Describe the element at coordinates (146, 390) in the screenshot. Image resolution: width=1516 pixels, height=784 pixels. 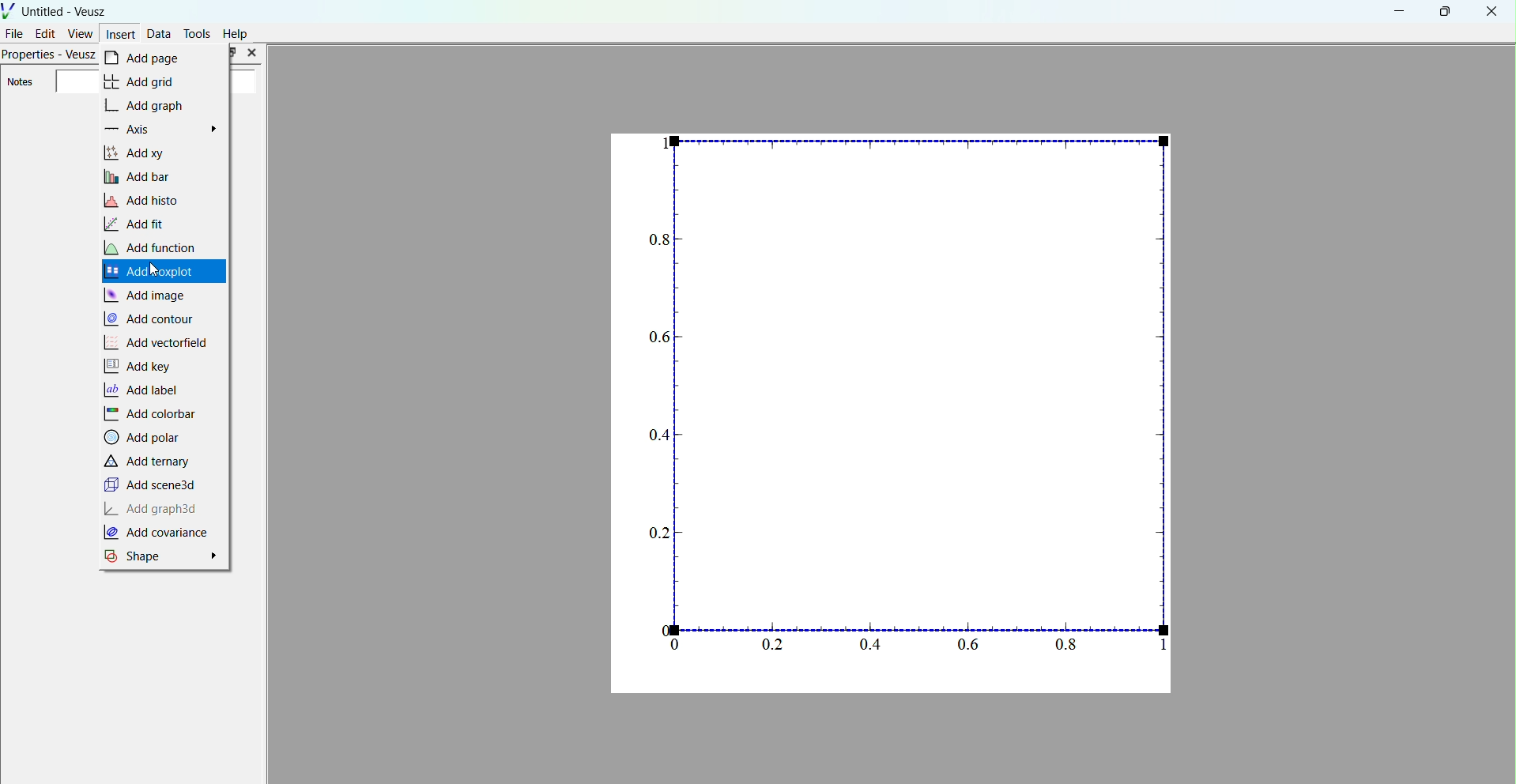
I see `Add label` at that location.